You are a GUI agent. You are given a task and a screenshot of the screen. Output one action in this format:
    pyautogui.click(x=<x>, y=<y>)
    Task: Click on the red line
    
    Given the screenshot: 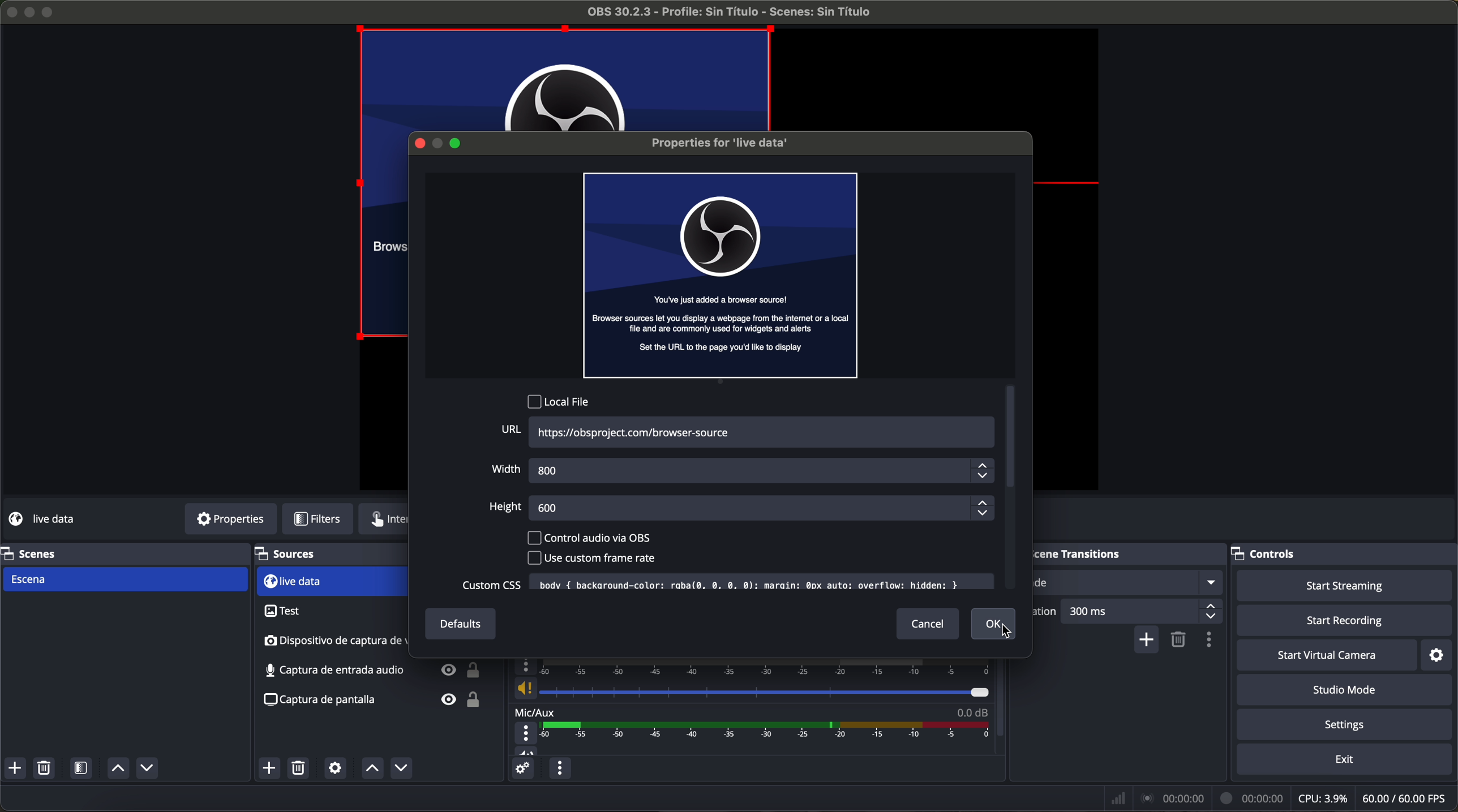 What is the action you would take?
    pyautogui.click(x=1079, y=186)
    